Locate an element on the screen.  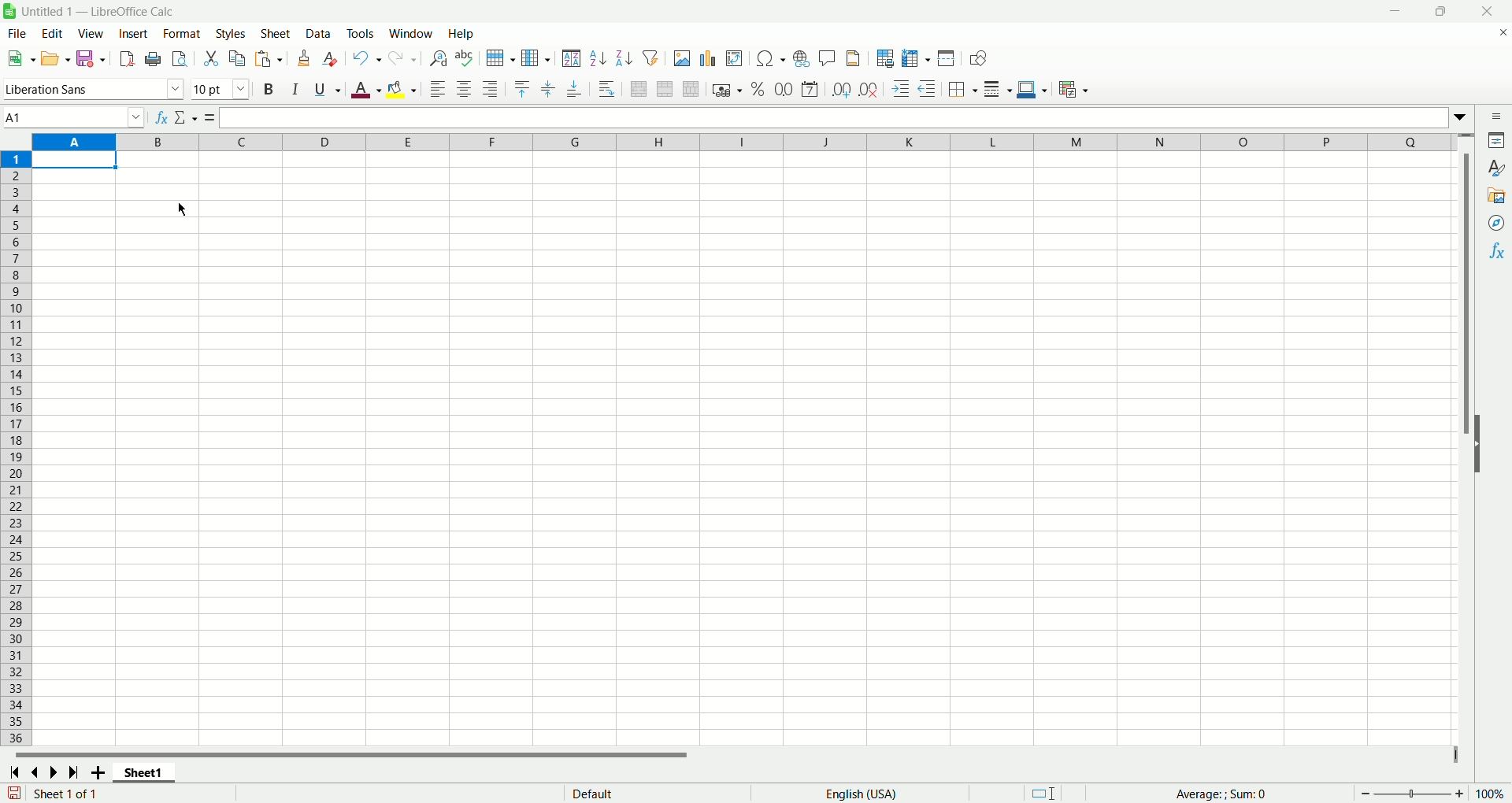
Selection mode is located at coordinates (1057, 791).